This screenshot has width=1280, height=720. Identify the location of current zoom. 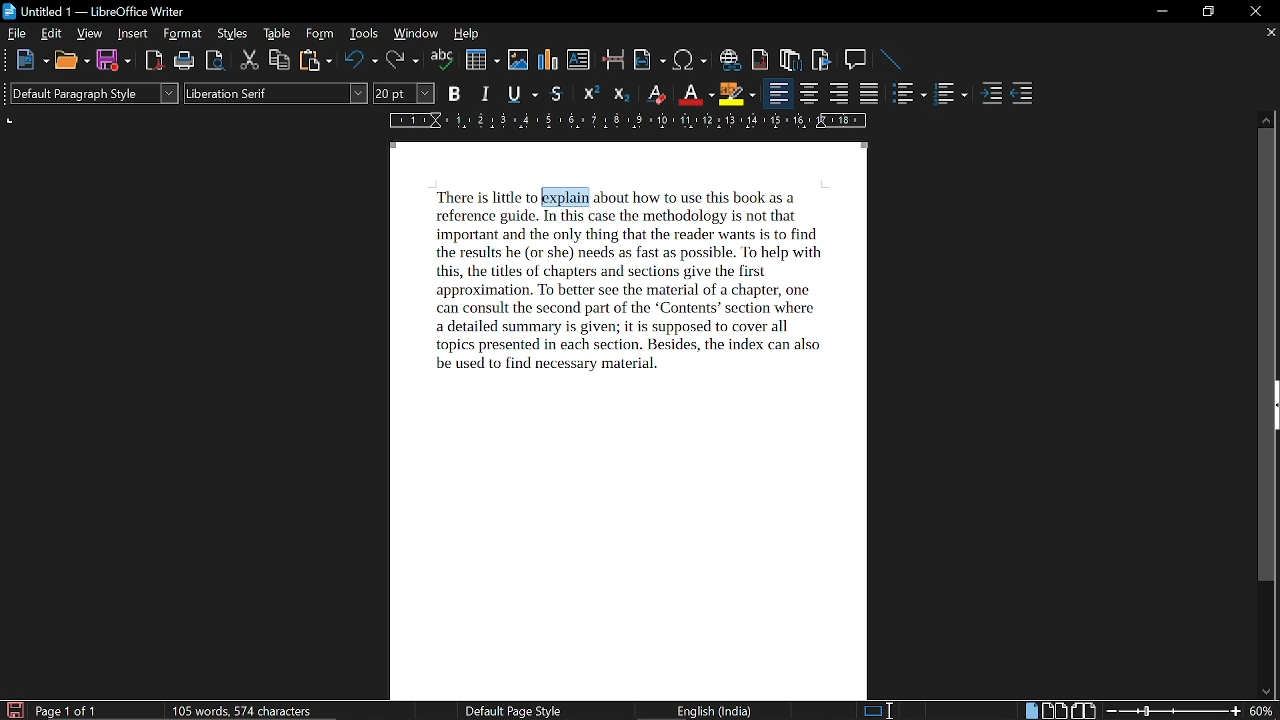
(1263, 711).